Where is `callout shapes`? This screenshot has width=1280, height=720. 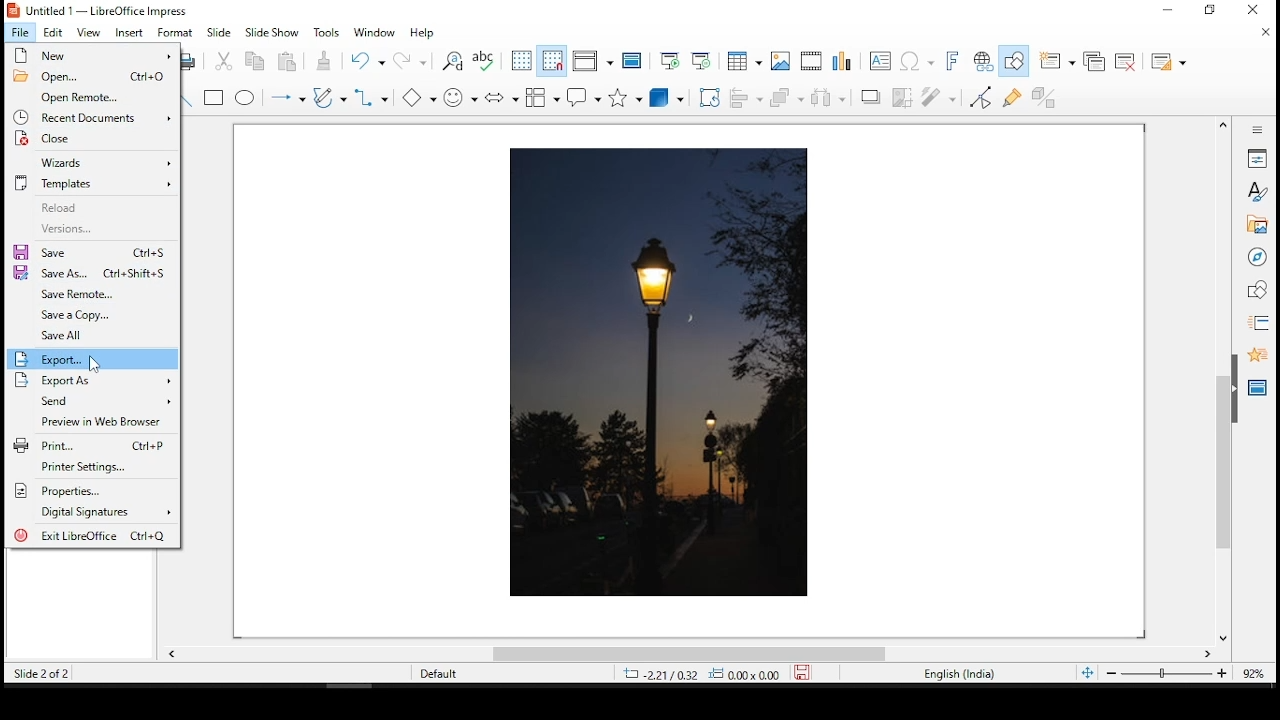
callout shapes is located at coordinates (583, 97).